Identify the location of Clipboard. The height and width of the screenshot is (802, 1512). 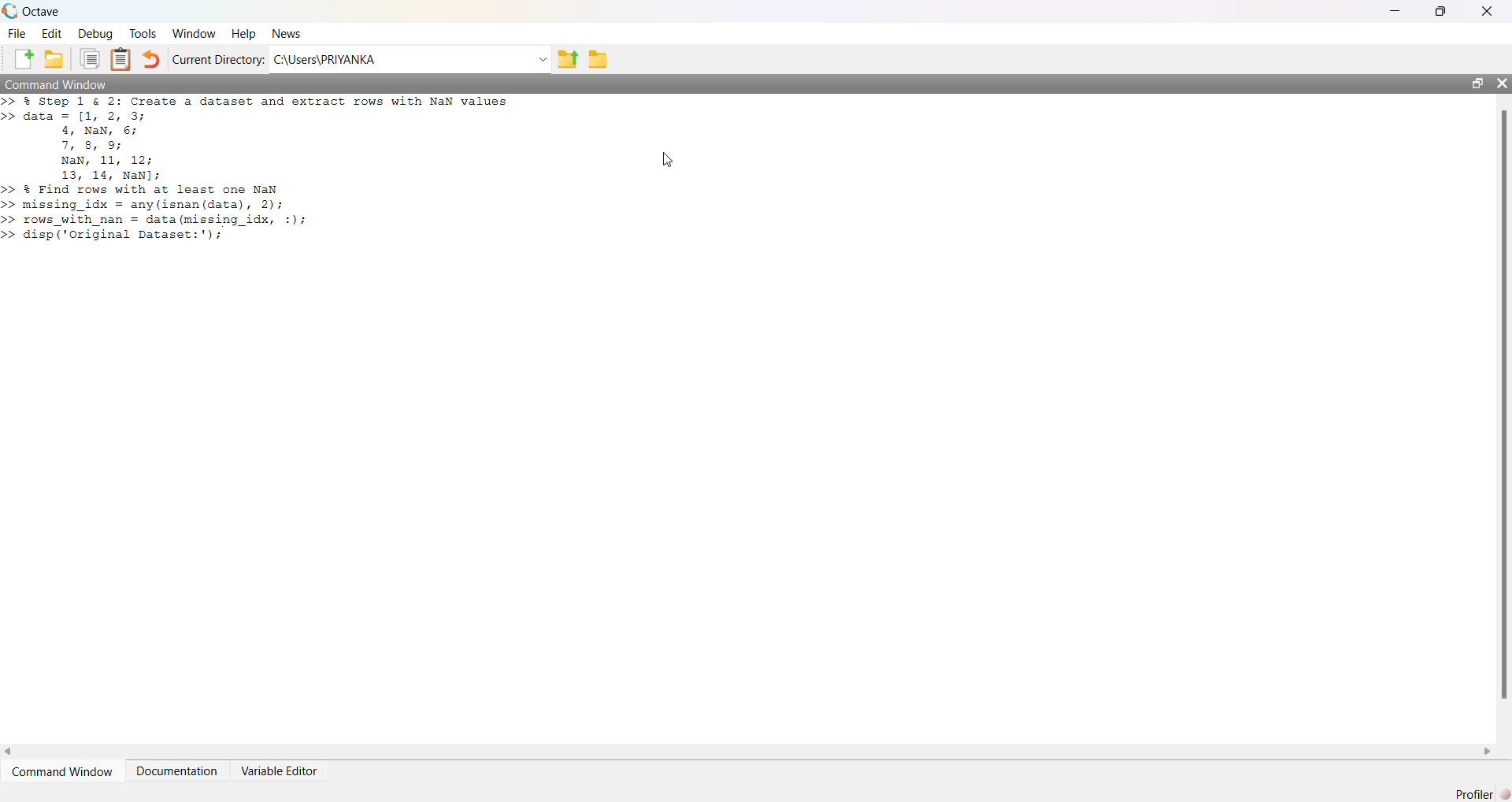
(120, 59).